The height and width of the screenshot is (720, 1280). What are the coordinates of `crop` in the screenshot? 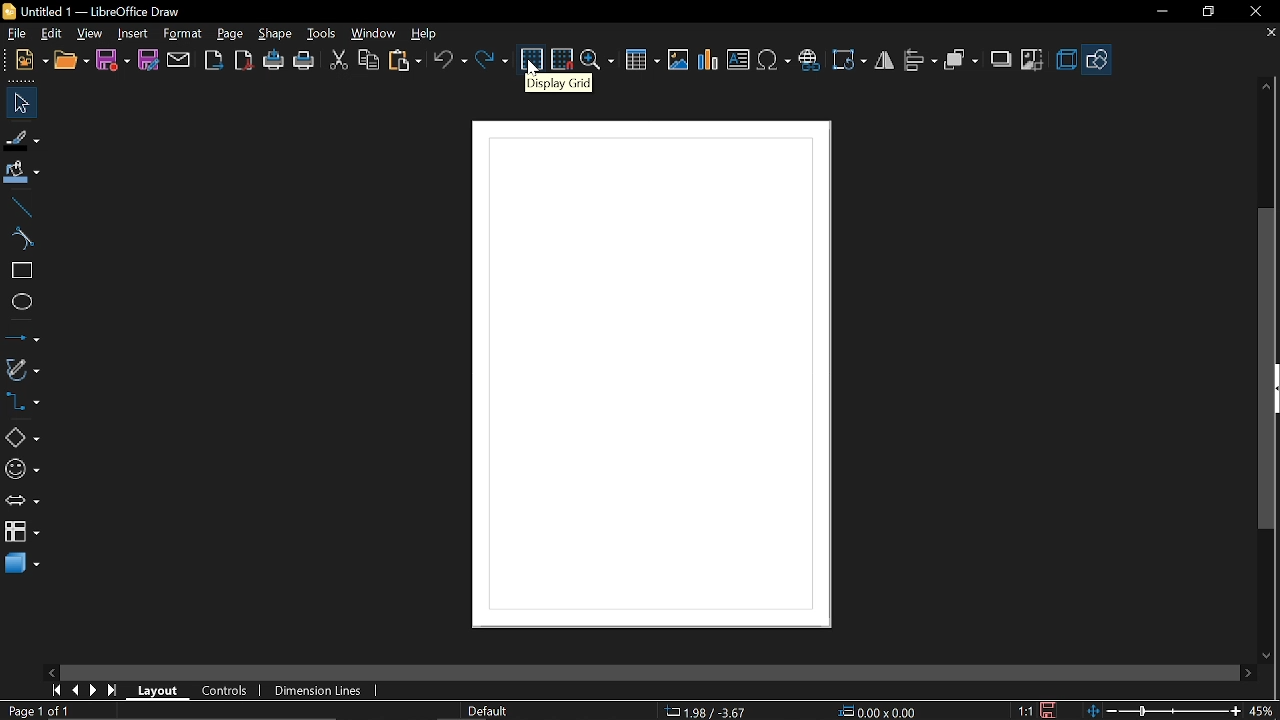 It's located at (1031, 58).